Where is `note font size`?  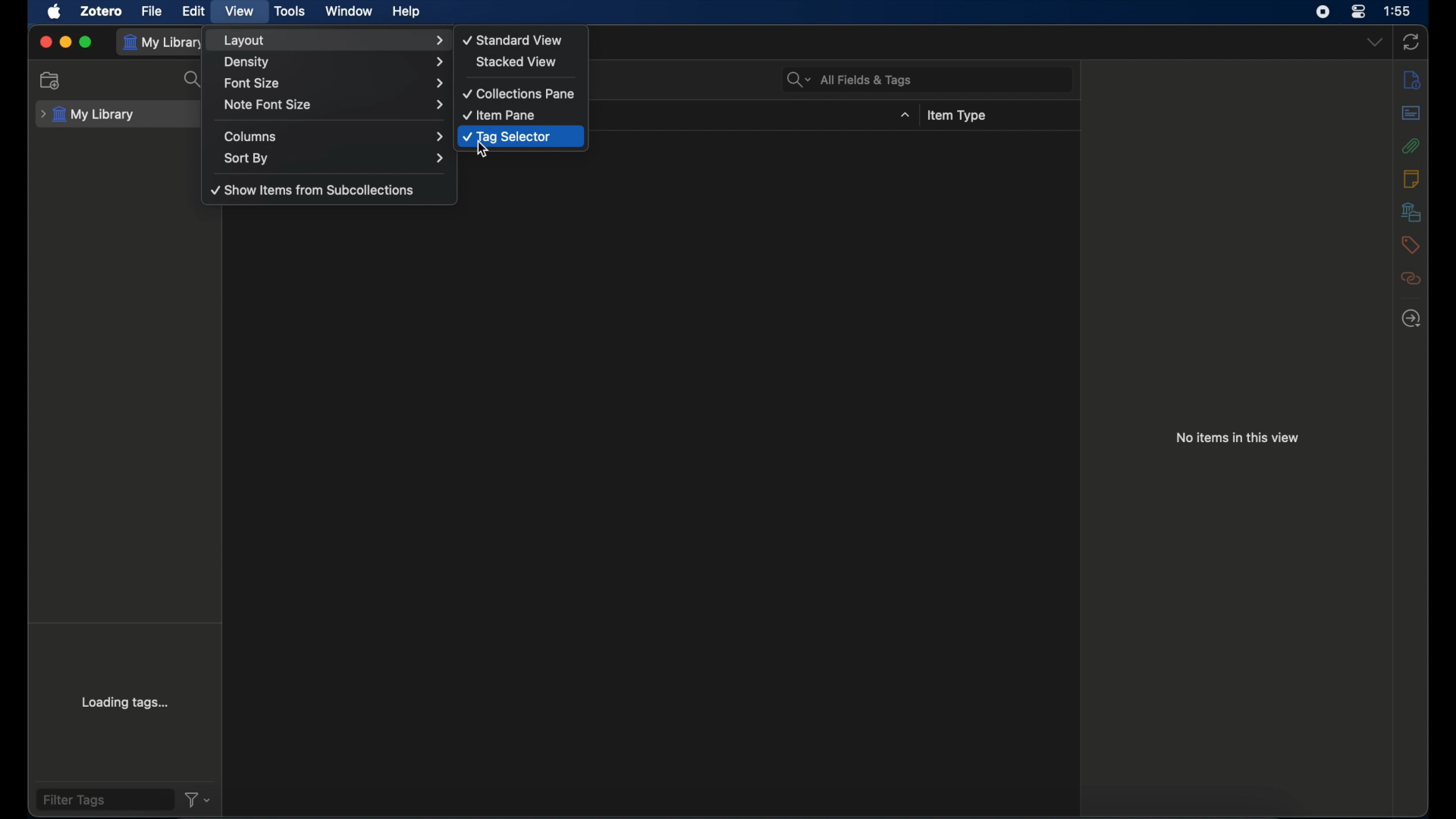 note font size is located at coordinates (334, 105).